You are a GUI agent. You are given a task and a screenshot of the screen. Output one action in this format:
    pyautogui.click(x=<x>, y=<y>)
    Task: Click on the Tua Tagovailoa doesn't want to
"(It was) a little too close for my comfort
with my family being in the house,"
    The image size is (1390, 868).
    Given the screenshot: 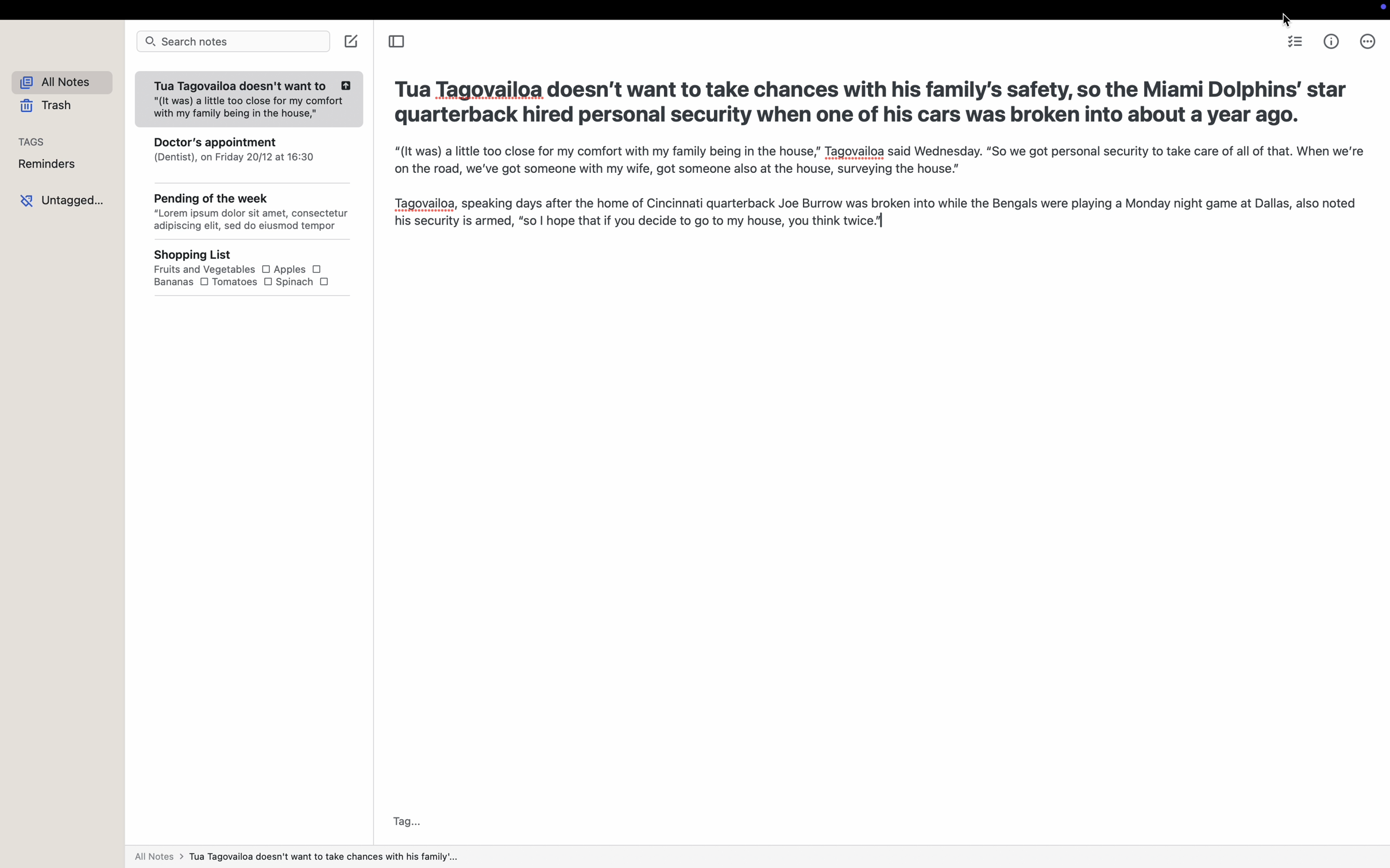 What is the action you would take?
    pyautogui.click(x=247, y=100)
    